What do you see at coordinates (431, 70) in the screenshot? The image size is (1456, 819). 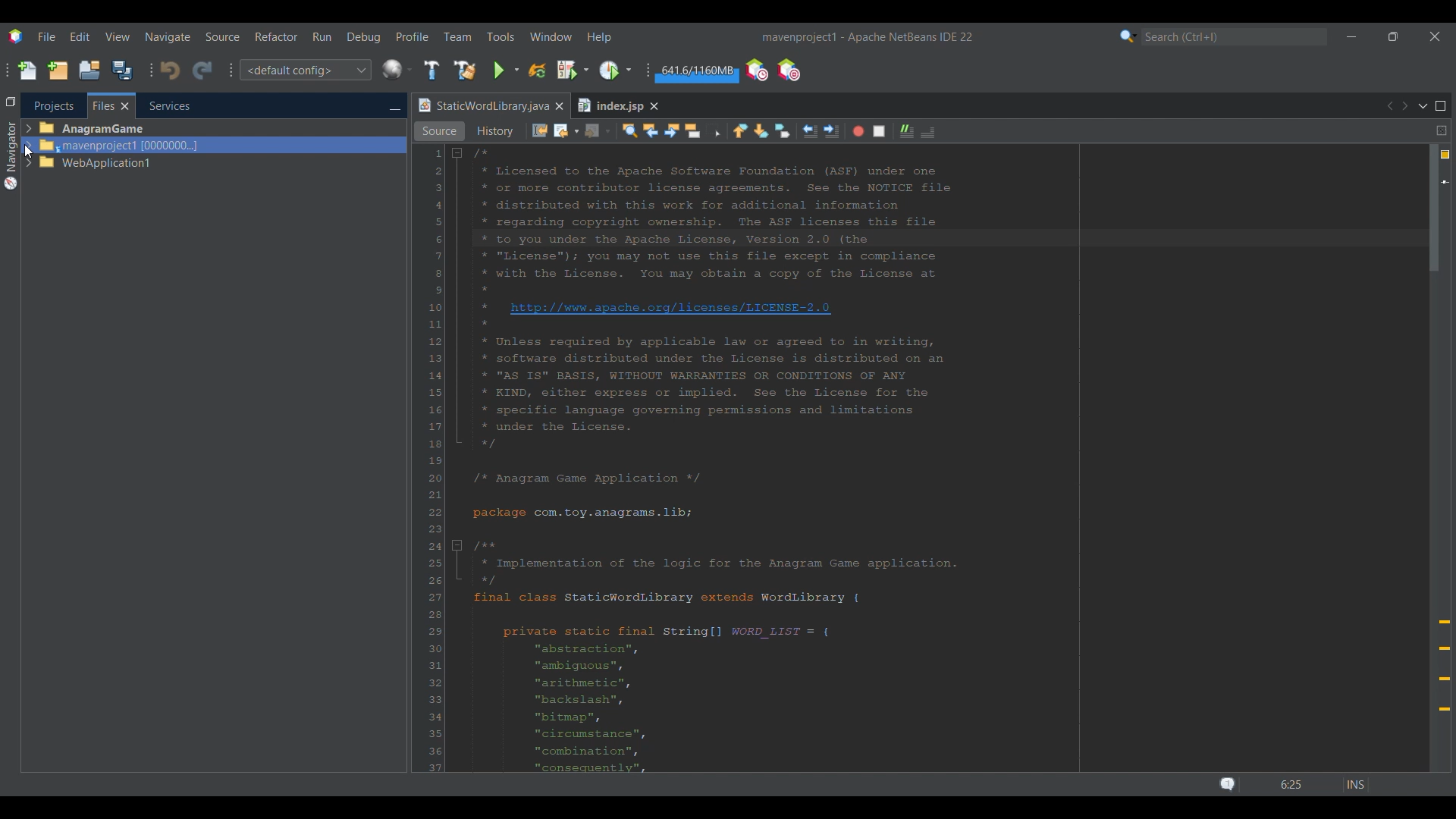 I see `Build main project` at bounding box center [431, 70].